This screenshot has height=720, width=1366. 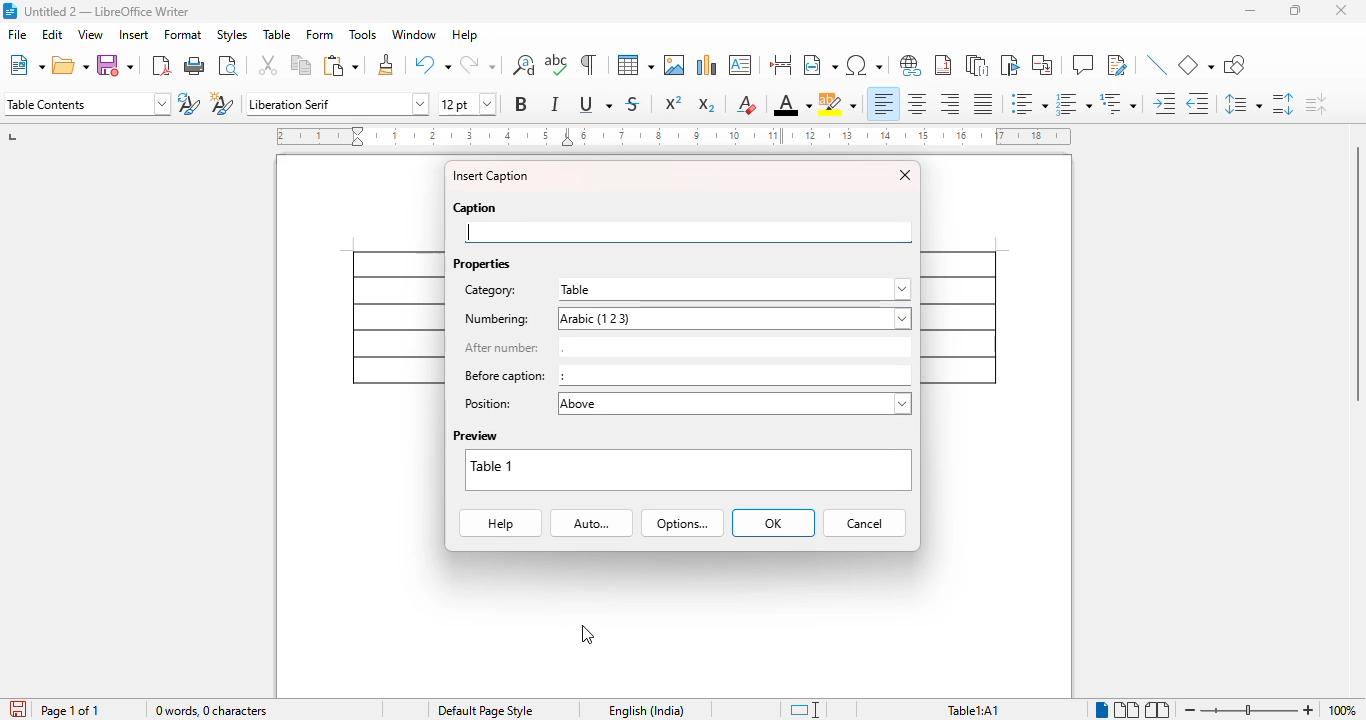 What do you see at coordinates (1198, 104) in the screenshot?
I see `decrease indent` at bounding box center [1198, 104].